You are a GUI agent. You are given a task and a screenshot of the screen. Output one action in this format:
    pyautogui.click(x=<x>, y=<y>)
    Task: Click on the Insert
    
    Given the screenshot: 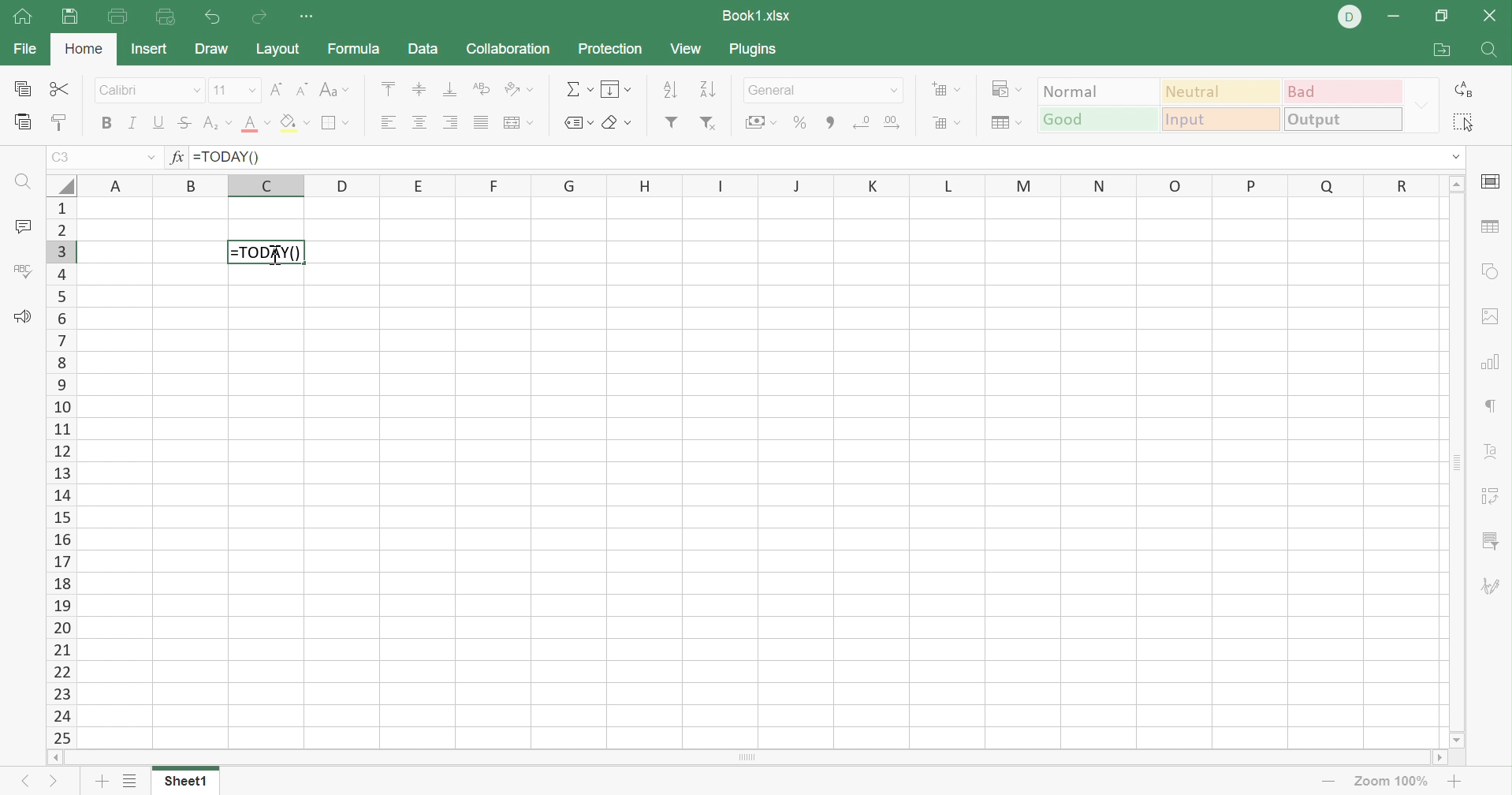 What is the action you would take?
    pyautogui.click(x=153, y=50)
    